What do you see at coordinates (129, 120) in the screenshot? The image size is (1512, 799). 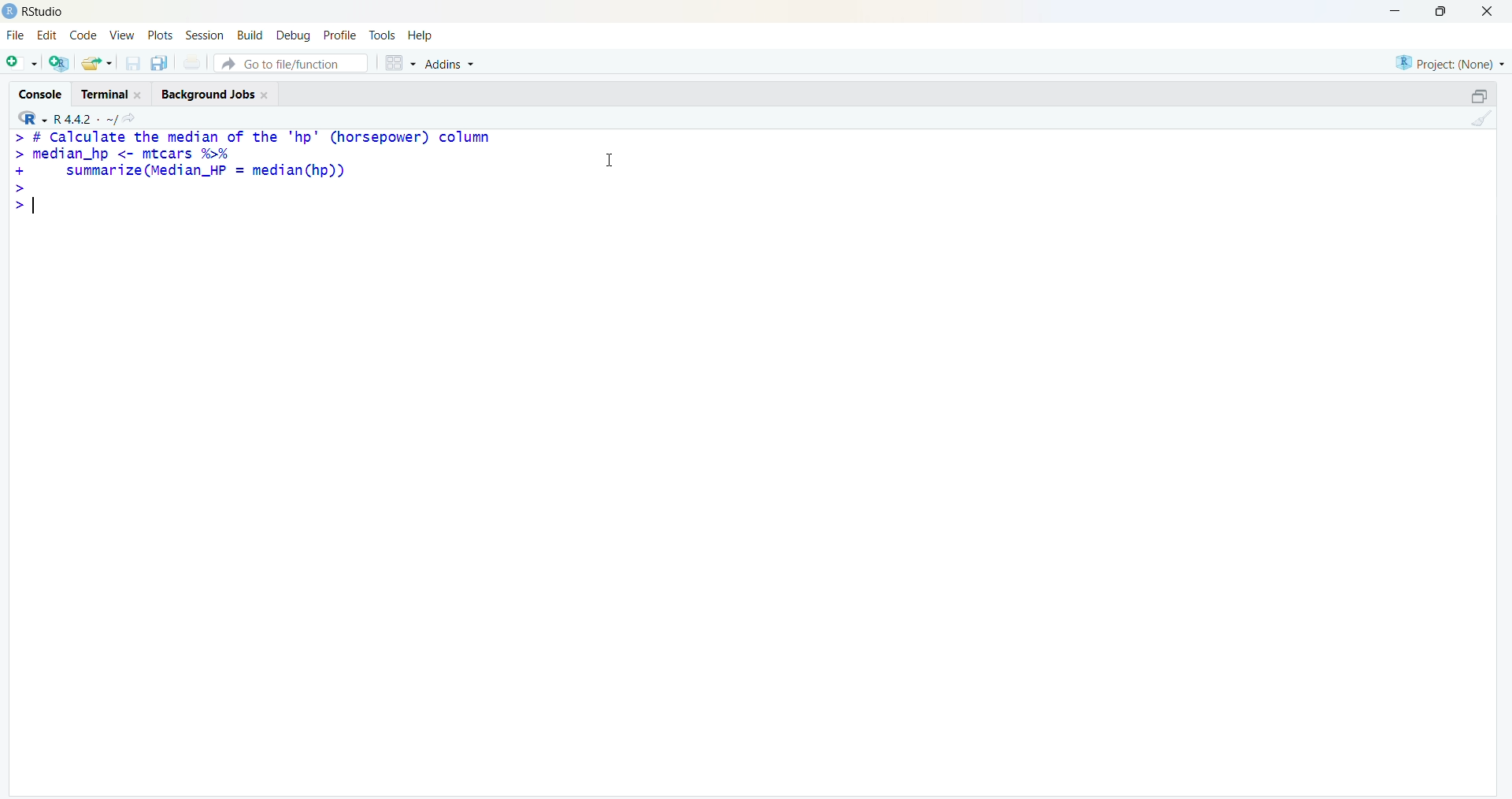 I see `share icon` at bounding box center [129, 120].